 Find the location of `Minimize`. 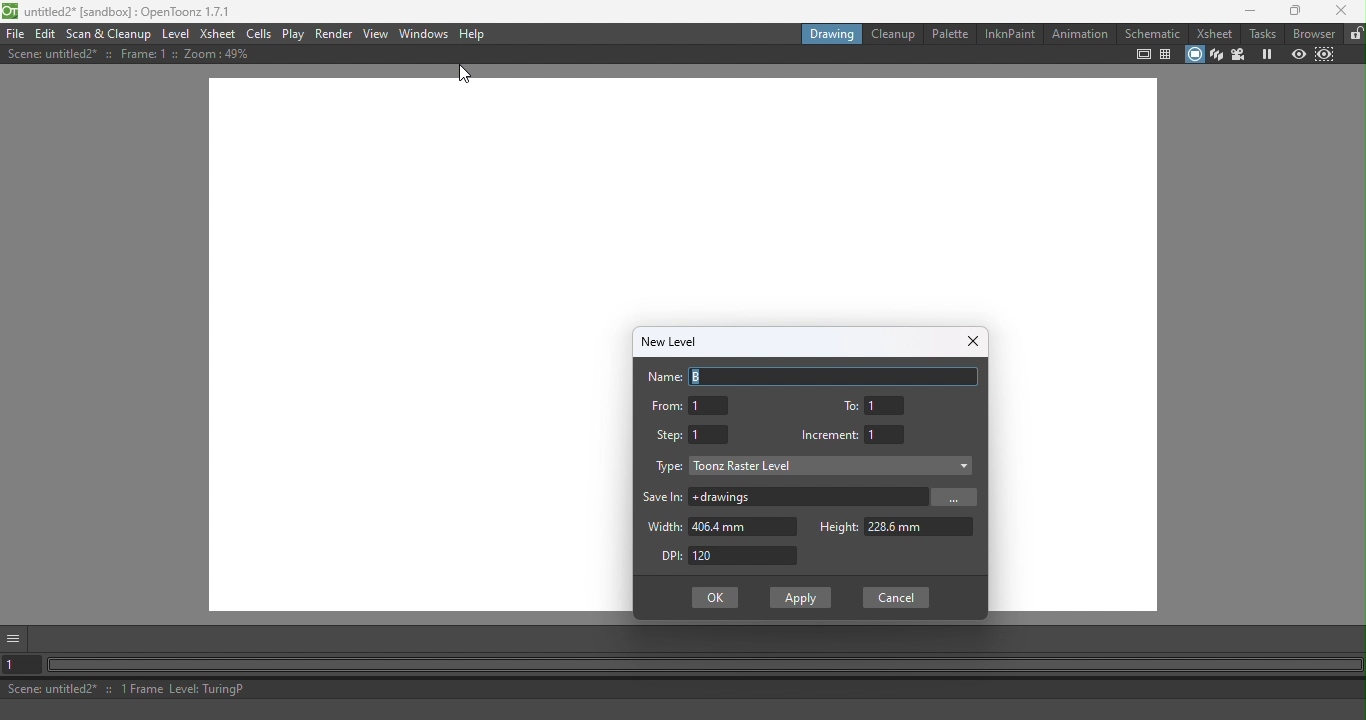

Minimize is located at coordinates (1252, 13).